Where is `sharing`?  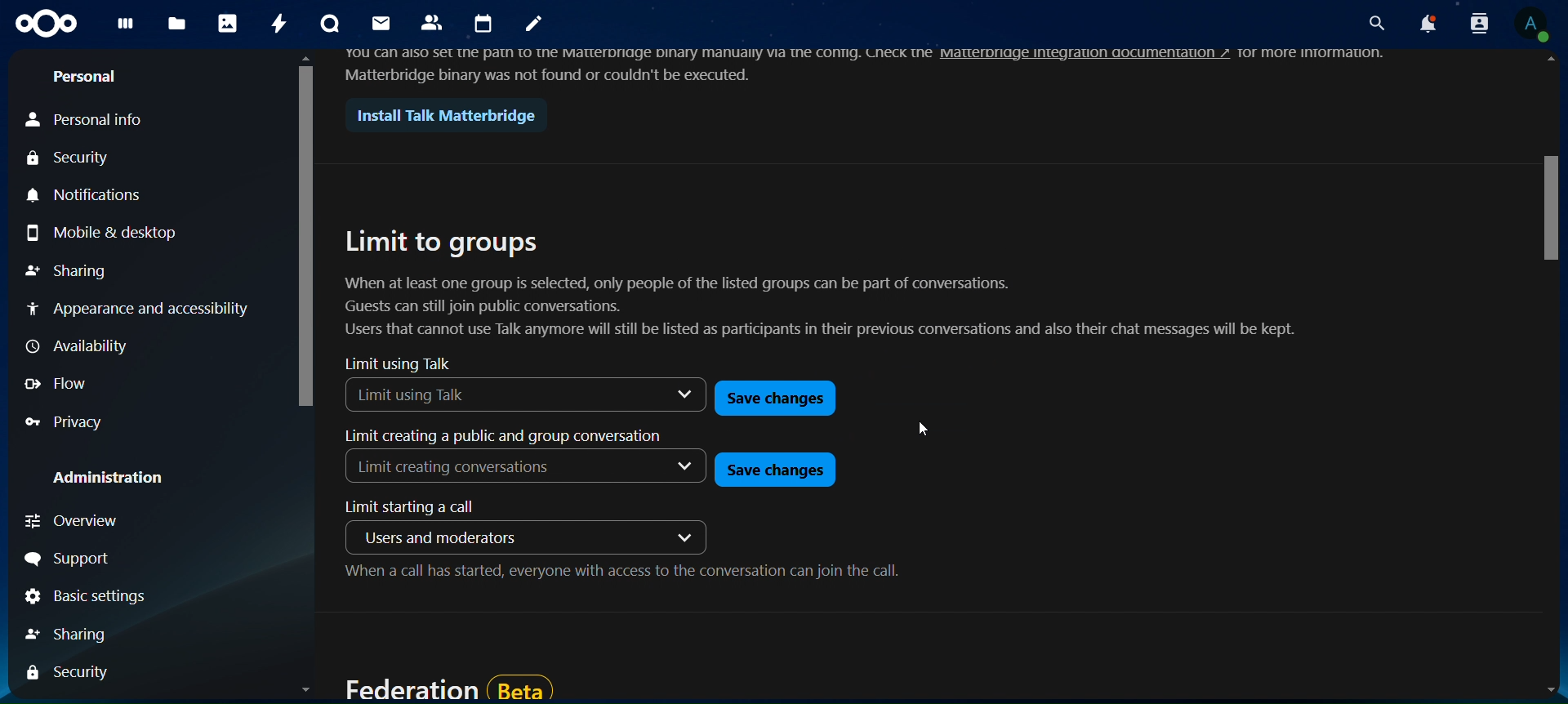
sharing is located at coordinates (66, 271).